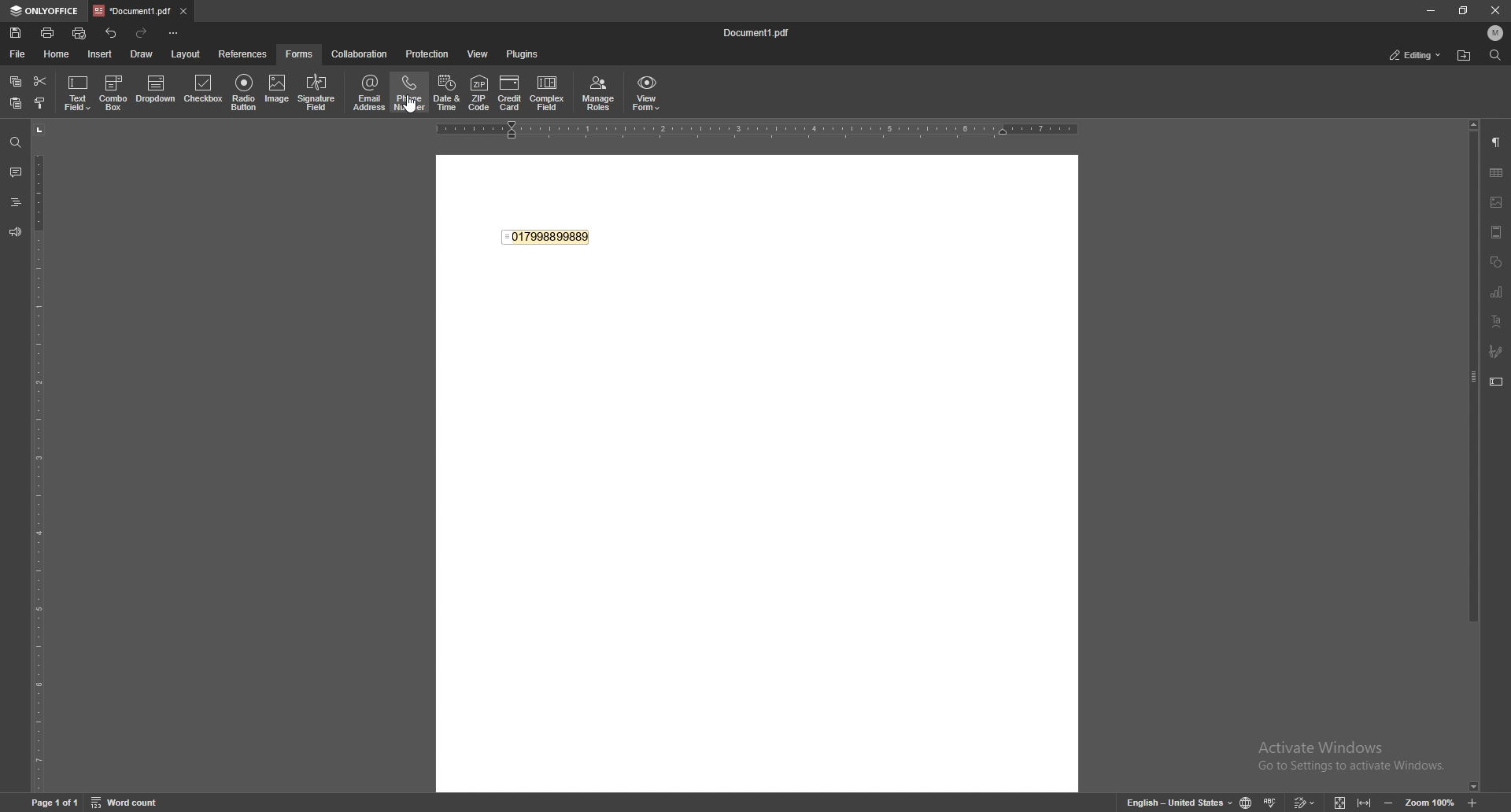  Describe the element at coordinates (16, 202) in the screenshot. I see `heading` at that location.